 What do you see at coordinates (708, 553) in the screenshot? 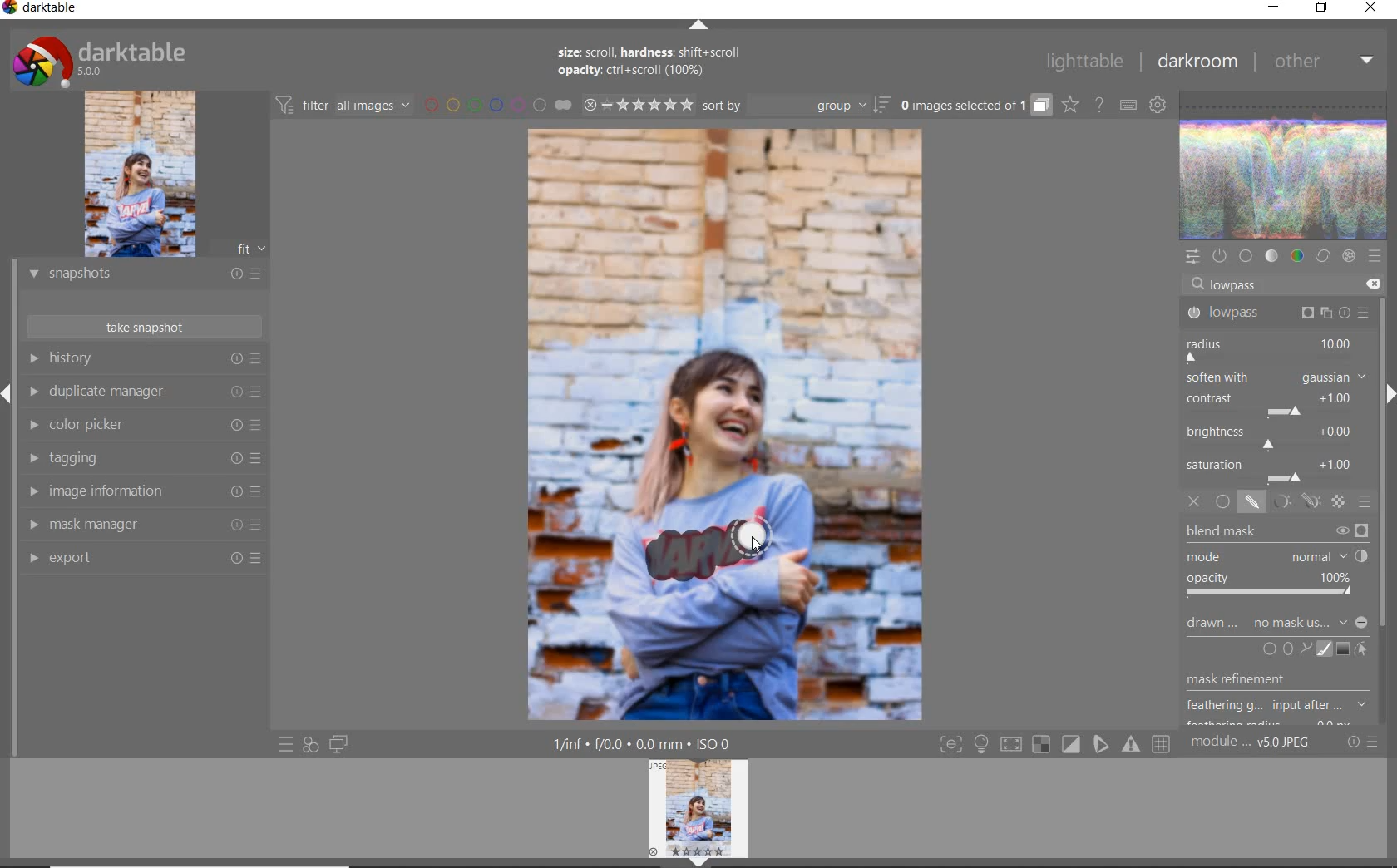
I see `area painted` at bounding box center [708, 553].